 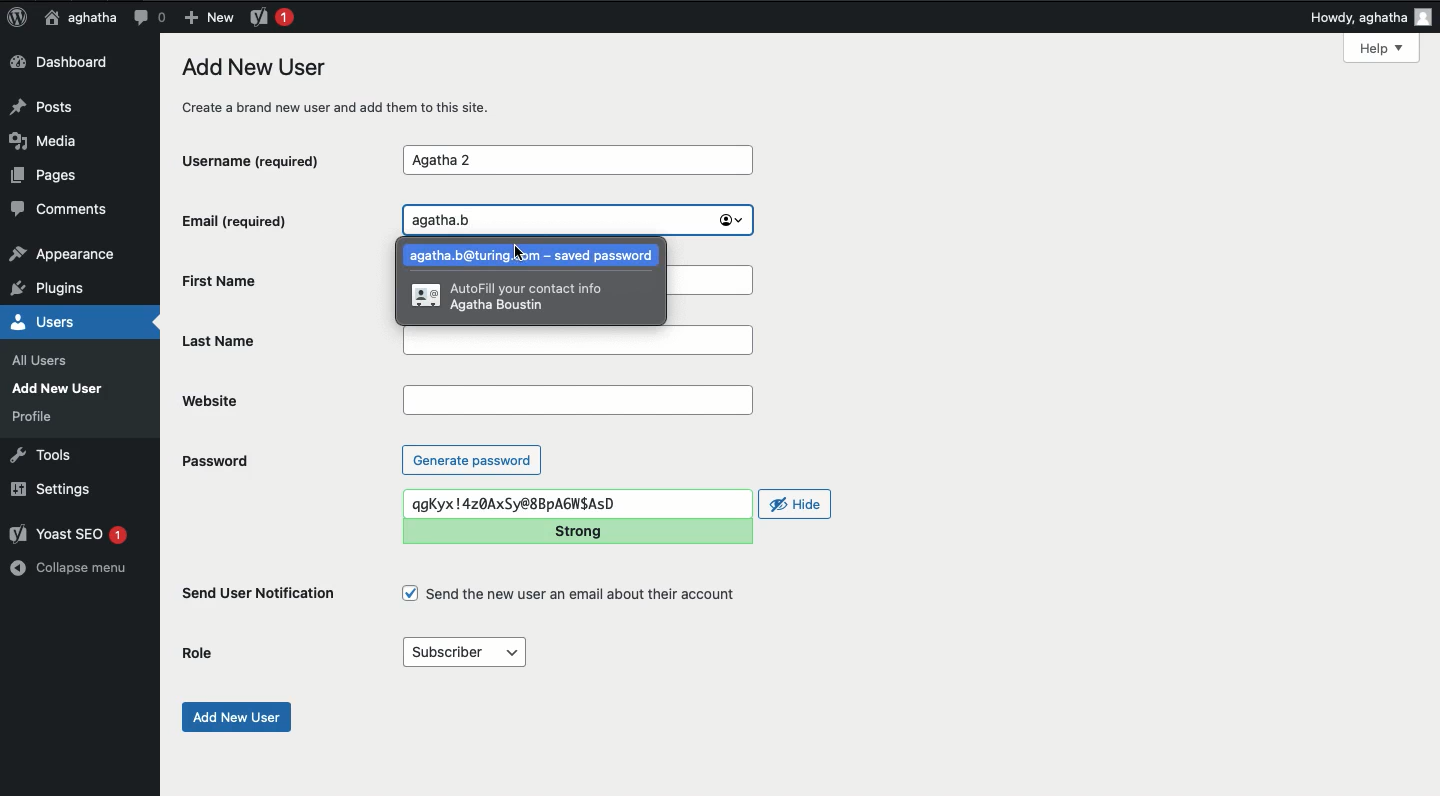 What do you see at coordinates (796, 504) in the screenshot?
I see `Hide` at bounding box center [796, 504].